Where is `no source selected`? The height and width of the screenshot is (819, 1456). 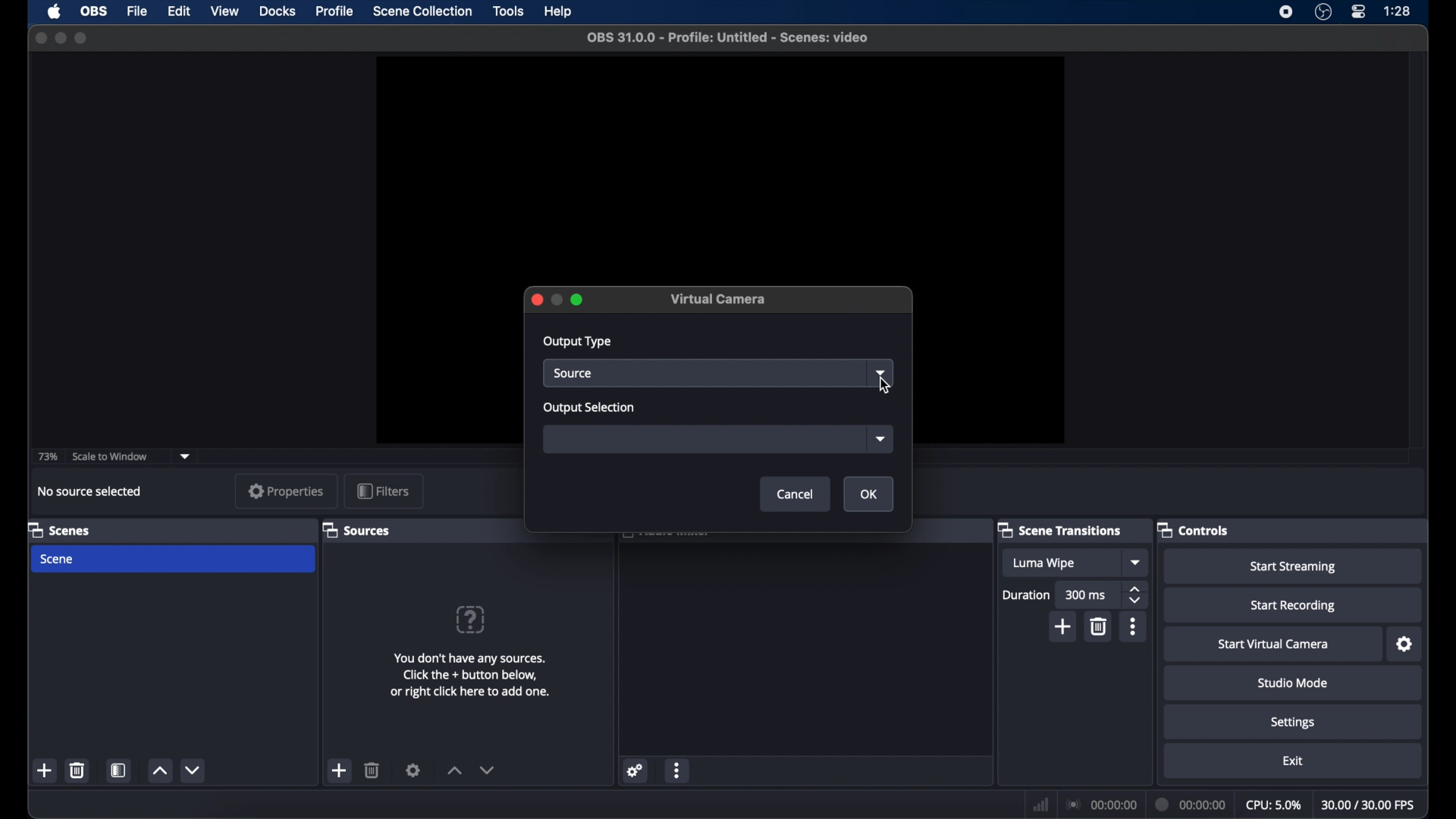
no source selected is located at coordinates (87, 491).